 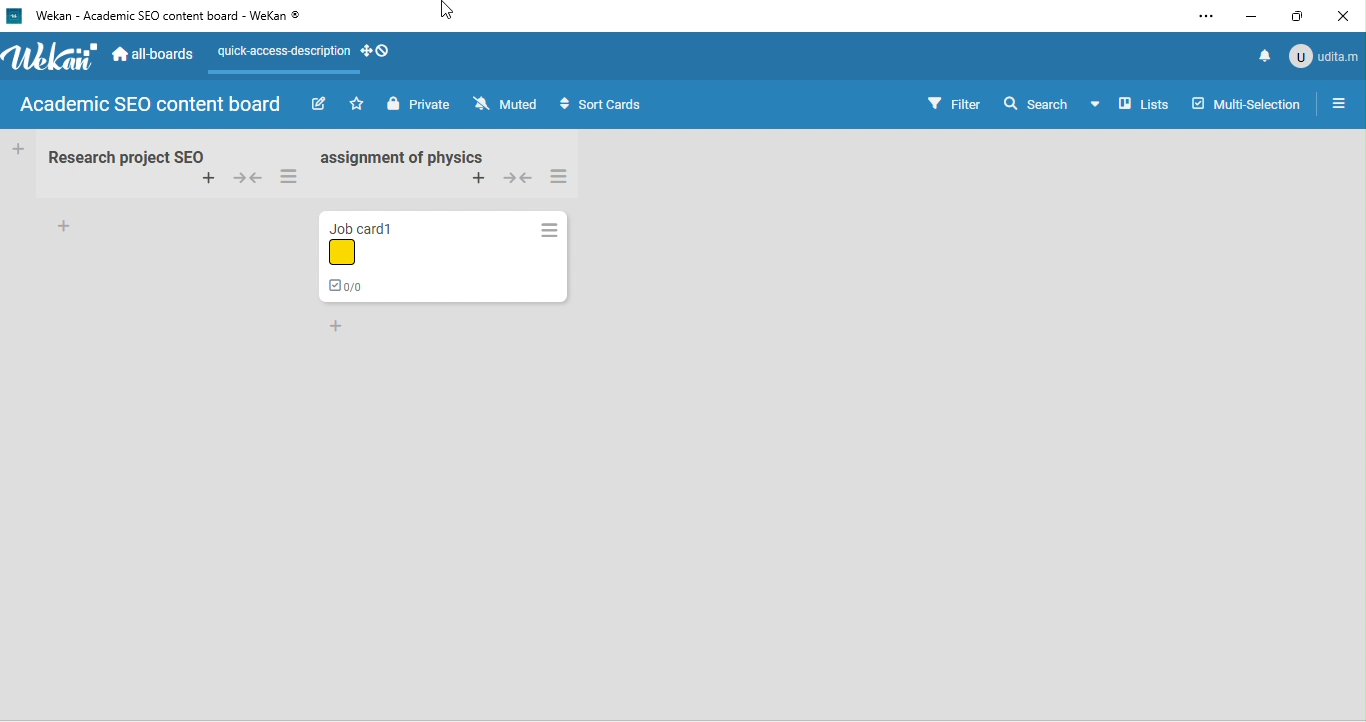 What do you see at coordinates (371, 229) in the screenshot?
I see `card title` at bounding box center [371, 229].